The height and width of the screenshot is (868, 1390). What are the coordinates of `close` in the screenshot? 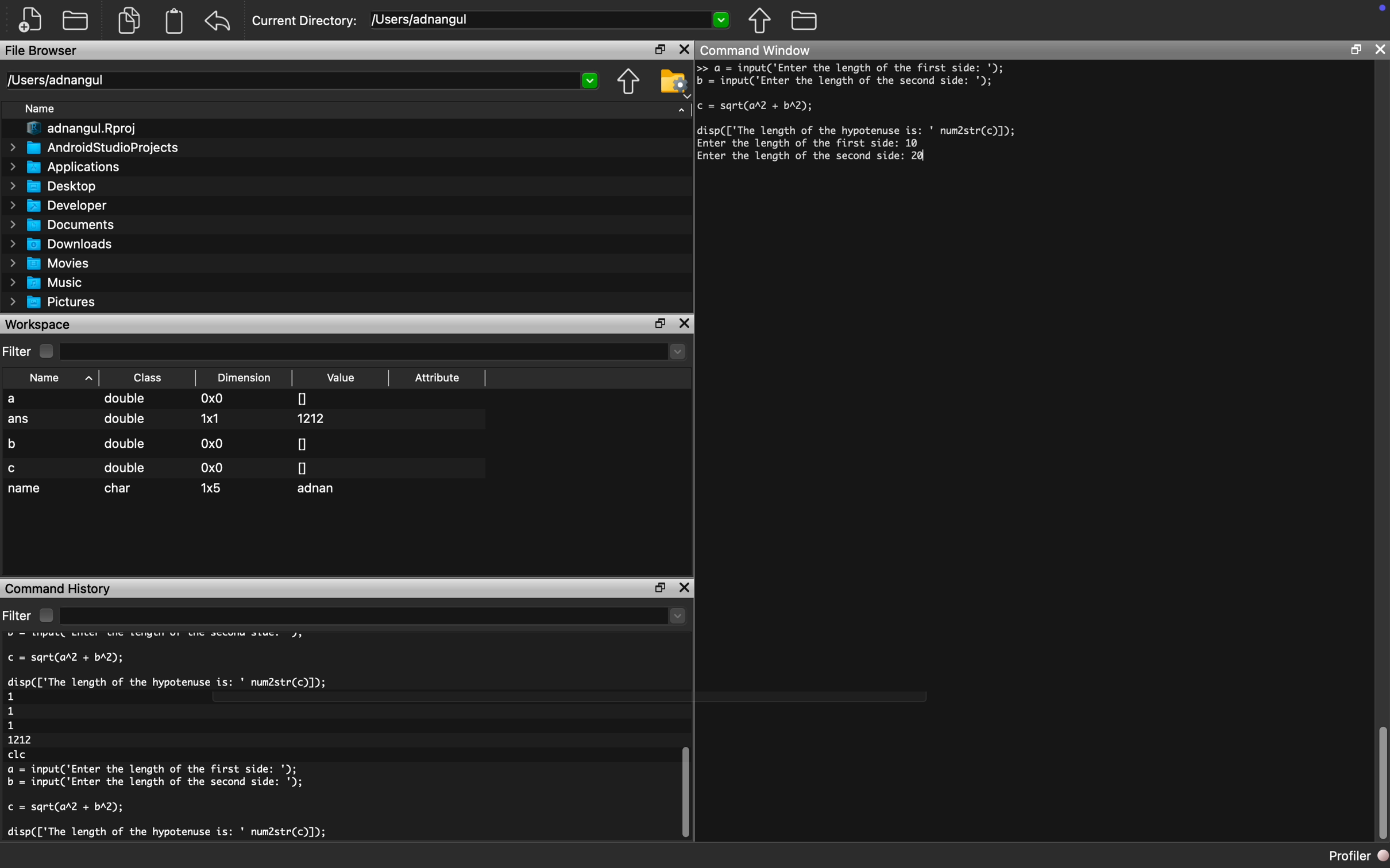 It's located at (687, 324).